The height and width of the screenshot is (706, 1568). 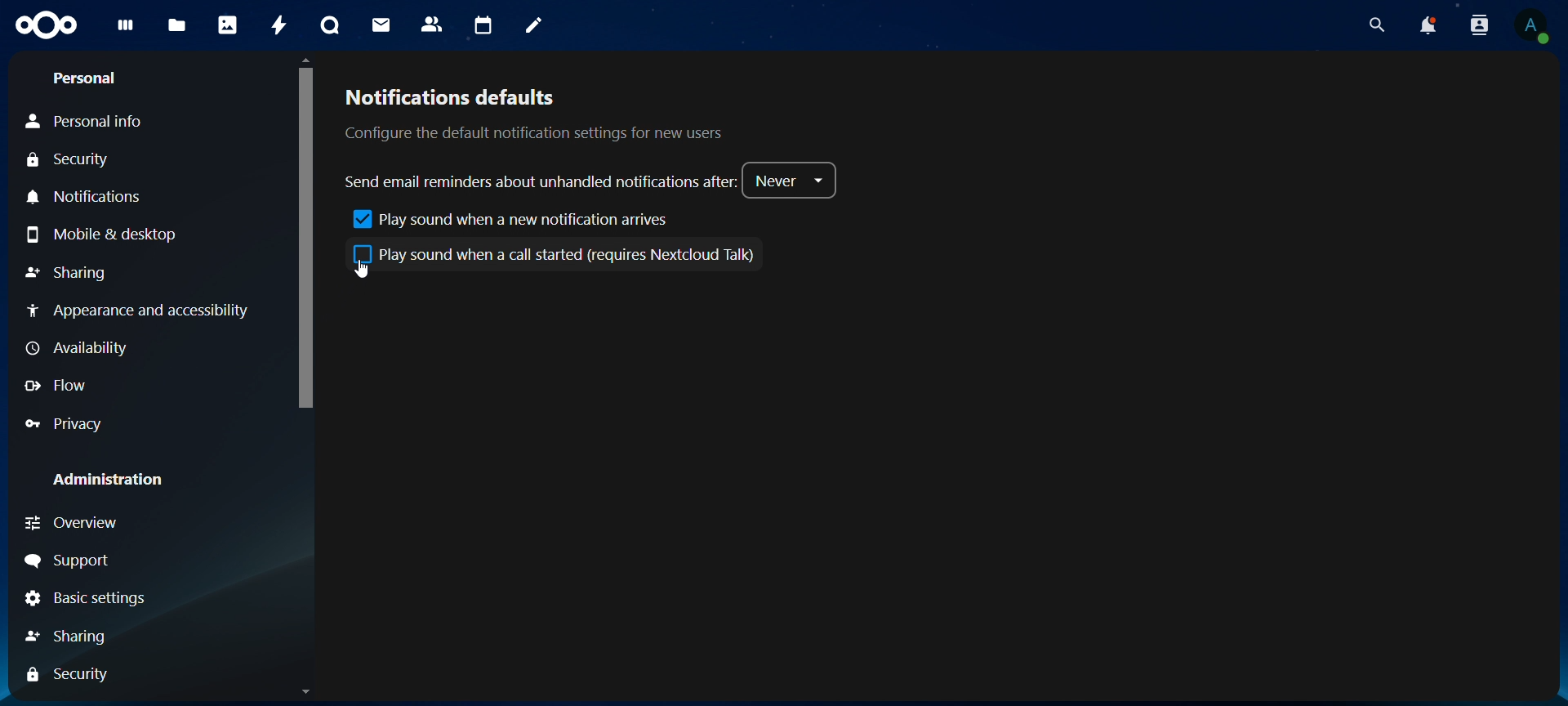 I want to click on Administration, so click(x=105, y=481).